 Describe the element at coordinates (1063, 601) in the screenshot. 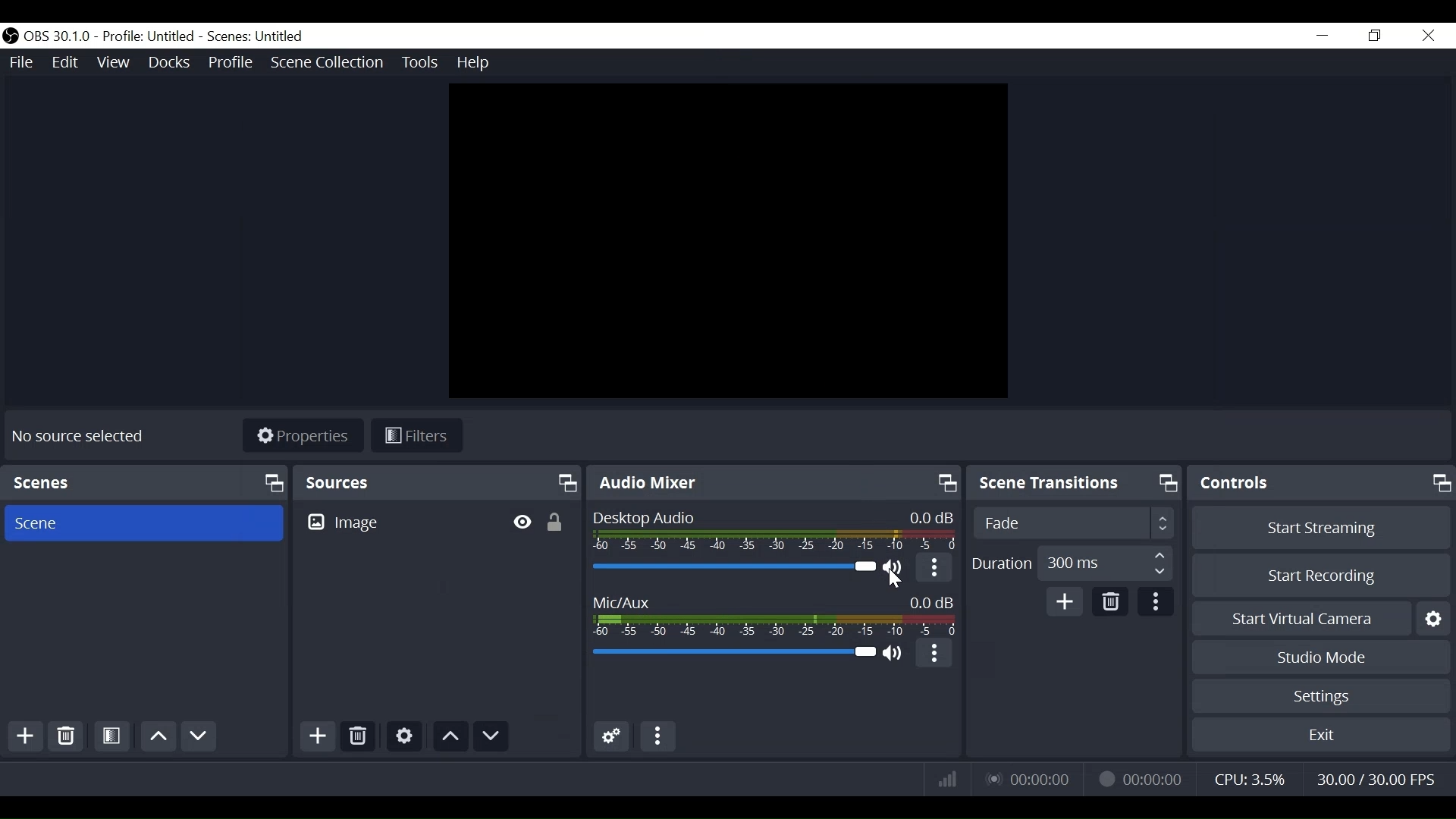

I see `Add` at that location.